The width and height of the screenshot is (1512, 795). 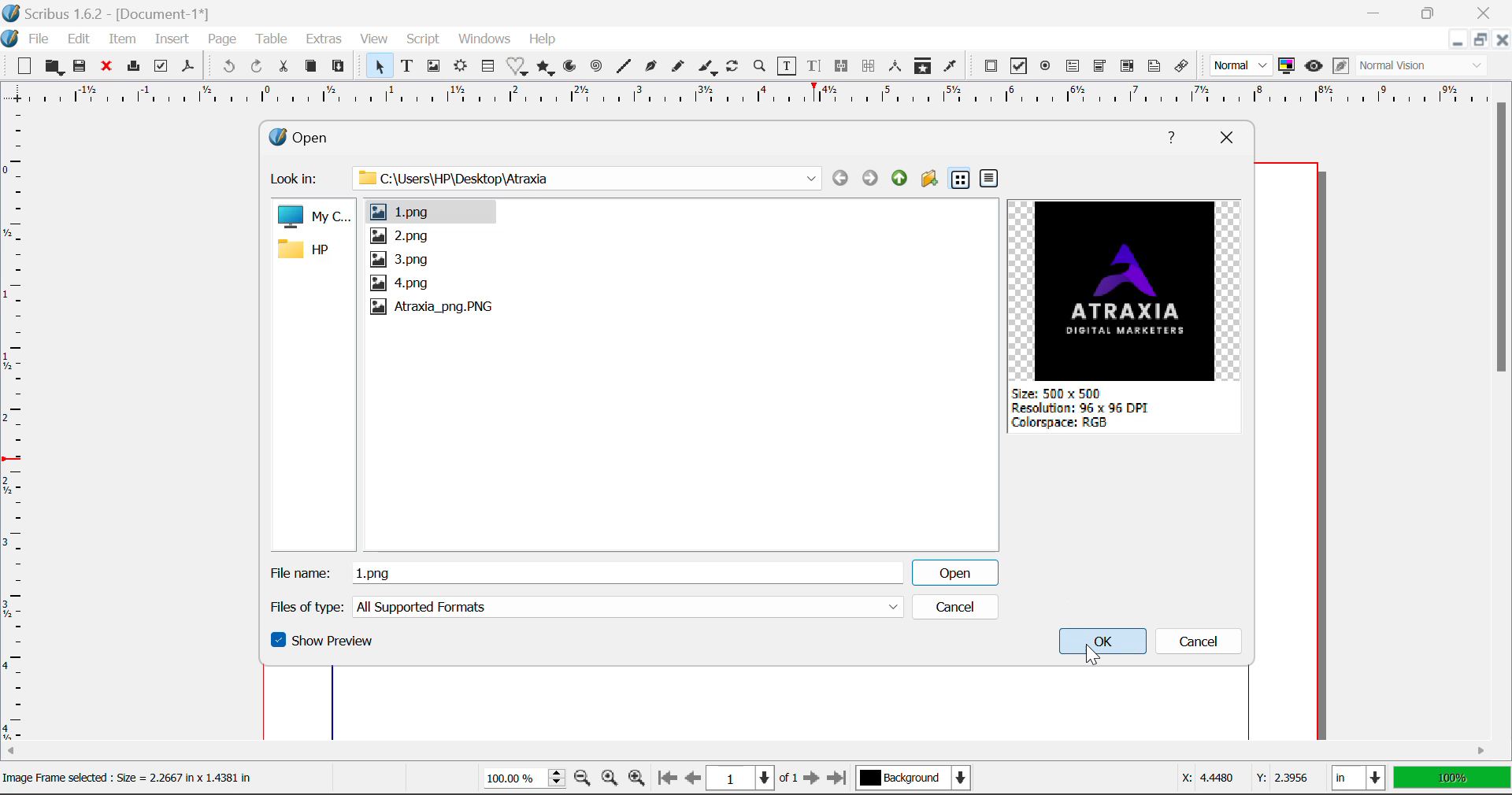 What do you see at coordinates (1021, 68) in the screenshot?
I see `Pdf Checkbox` at bounding box center [1021, 68].